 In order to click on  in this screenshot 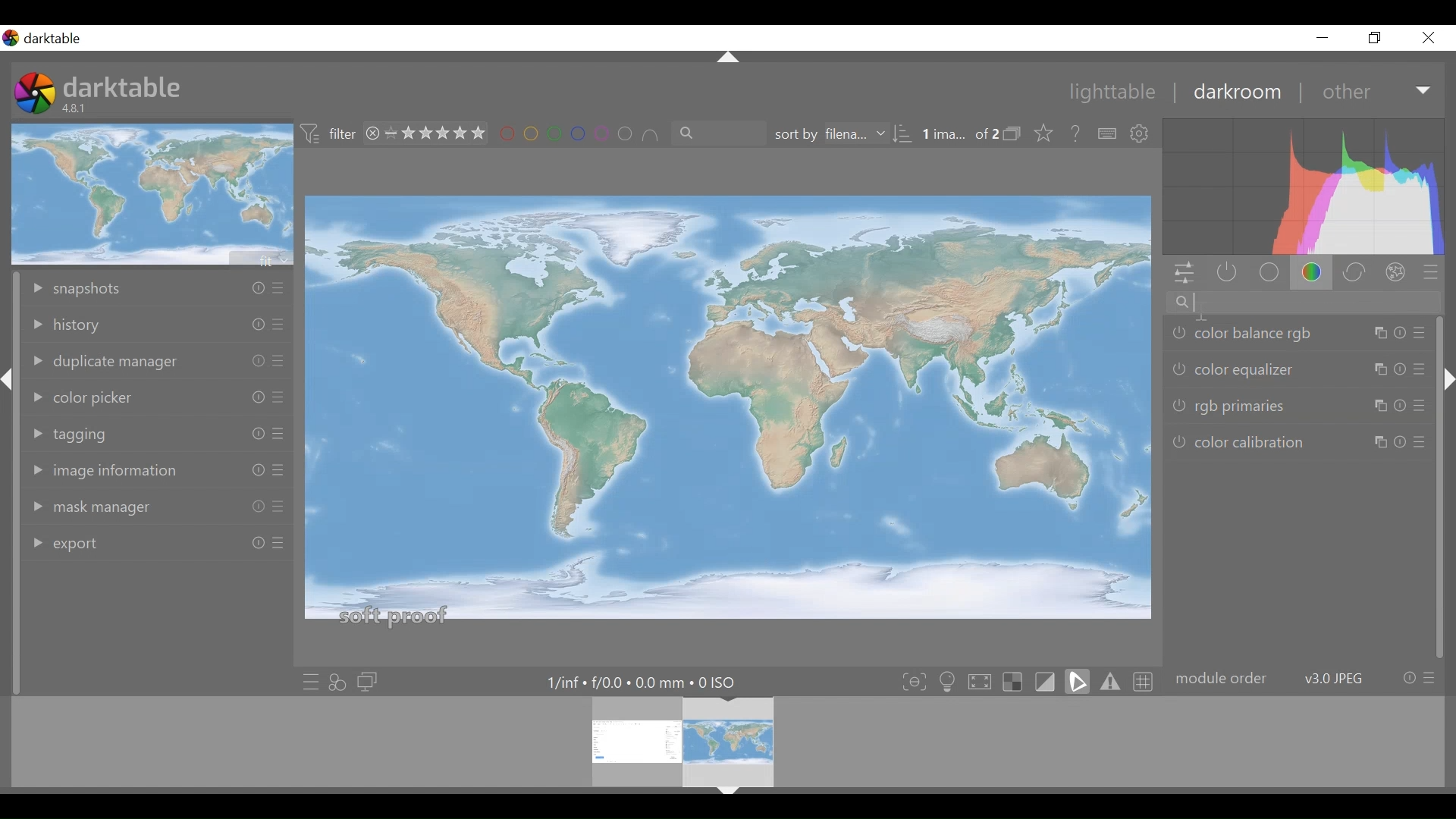, I will do `click(1376, 37)`.